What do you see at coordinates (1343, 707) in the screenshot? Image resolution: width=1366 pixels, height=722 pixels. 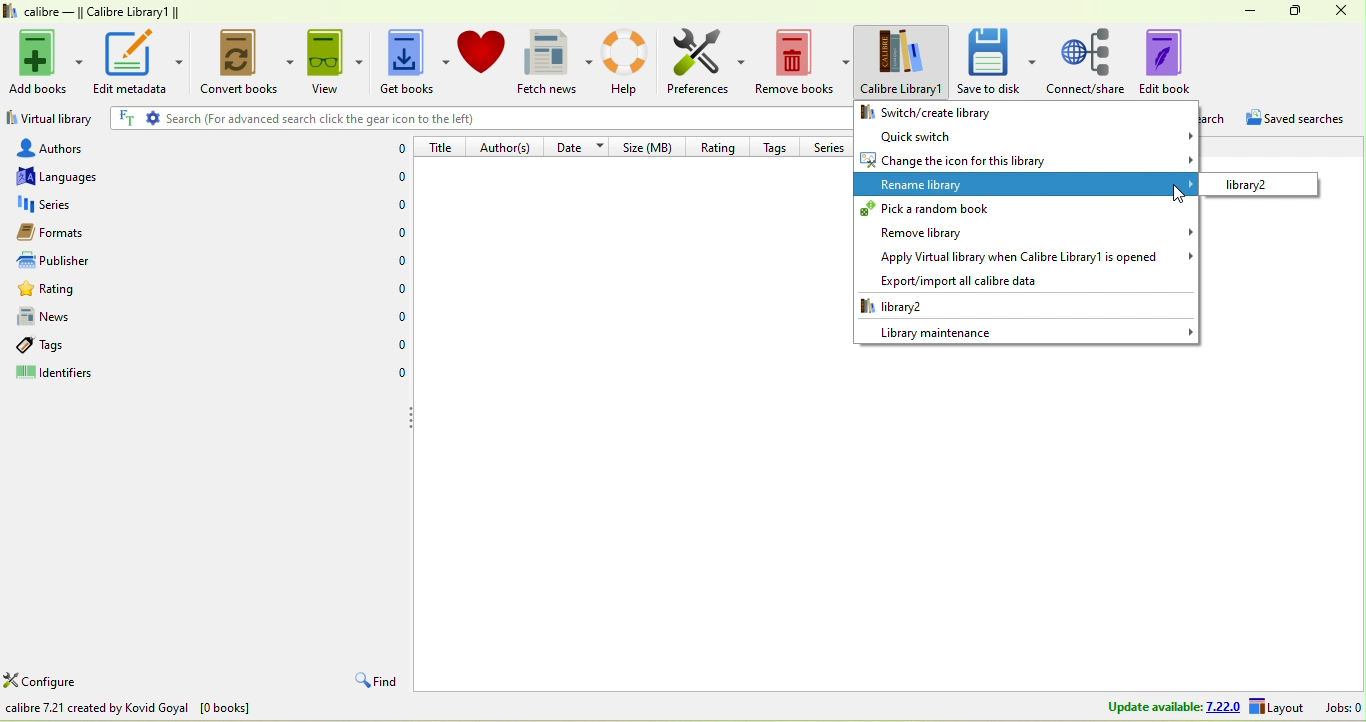 I see `jobs 0` at bounding box center [1343, 707].